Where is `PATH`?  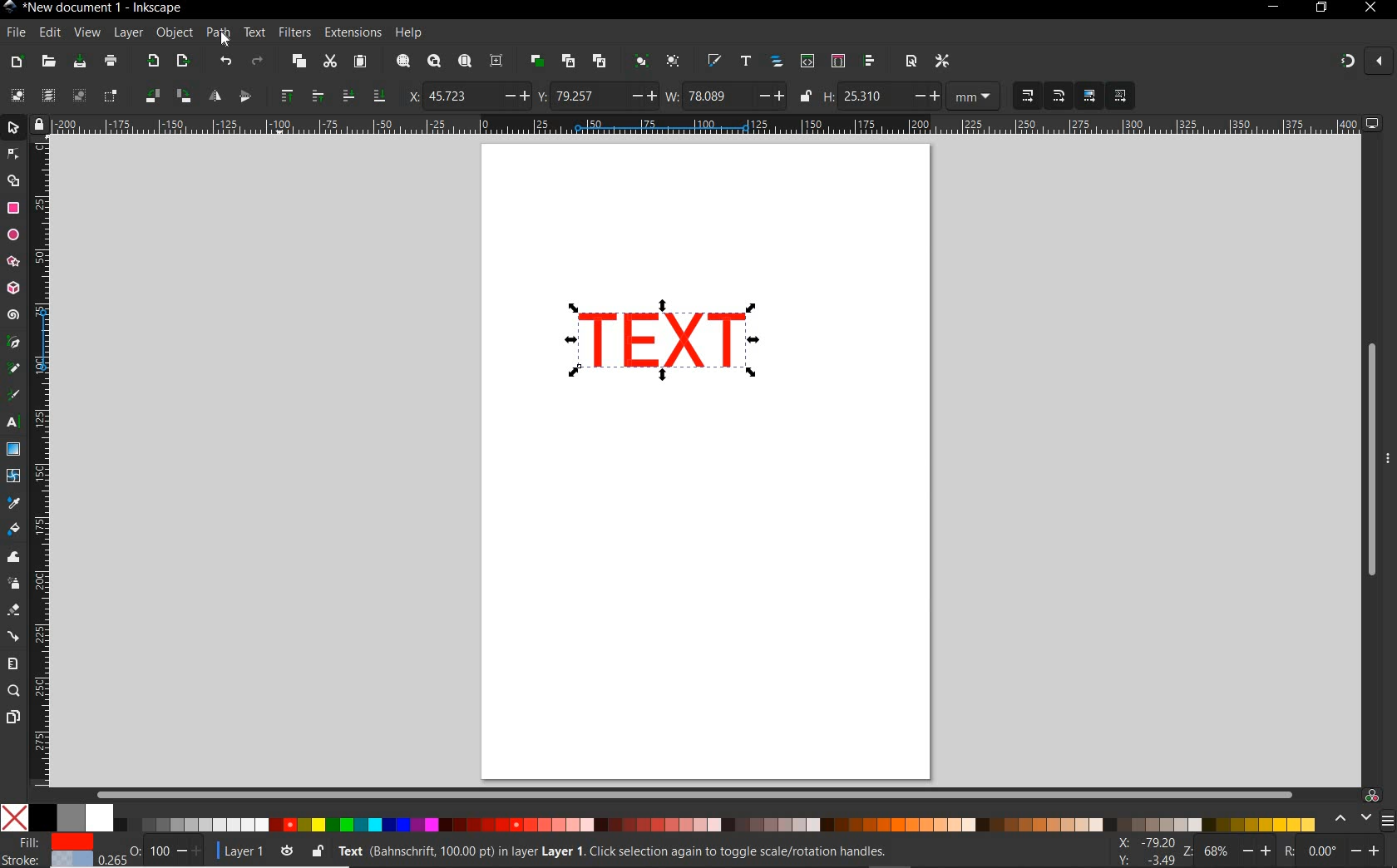
PATH is located at coordinates (223, 40).